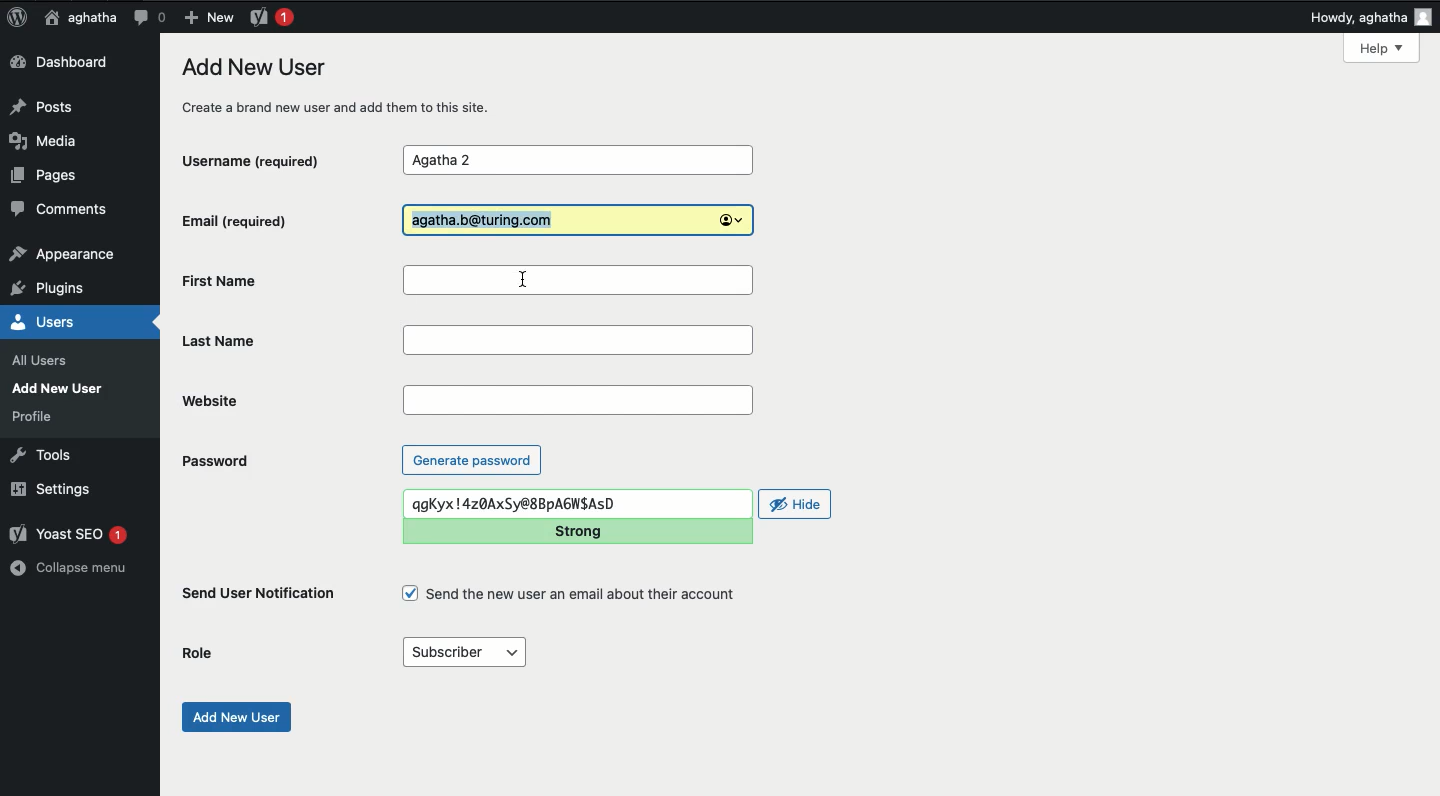  Describe the element at coordinates (572, 594) in the screenshot. I see `Send the new user an email about their account` at that location.